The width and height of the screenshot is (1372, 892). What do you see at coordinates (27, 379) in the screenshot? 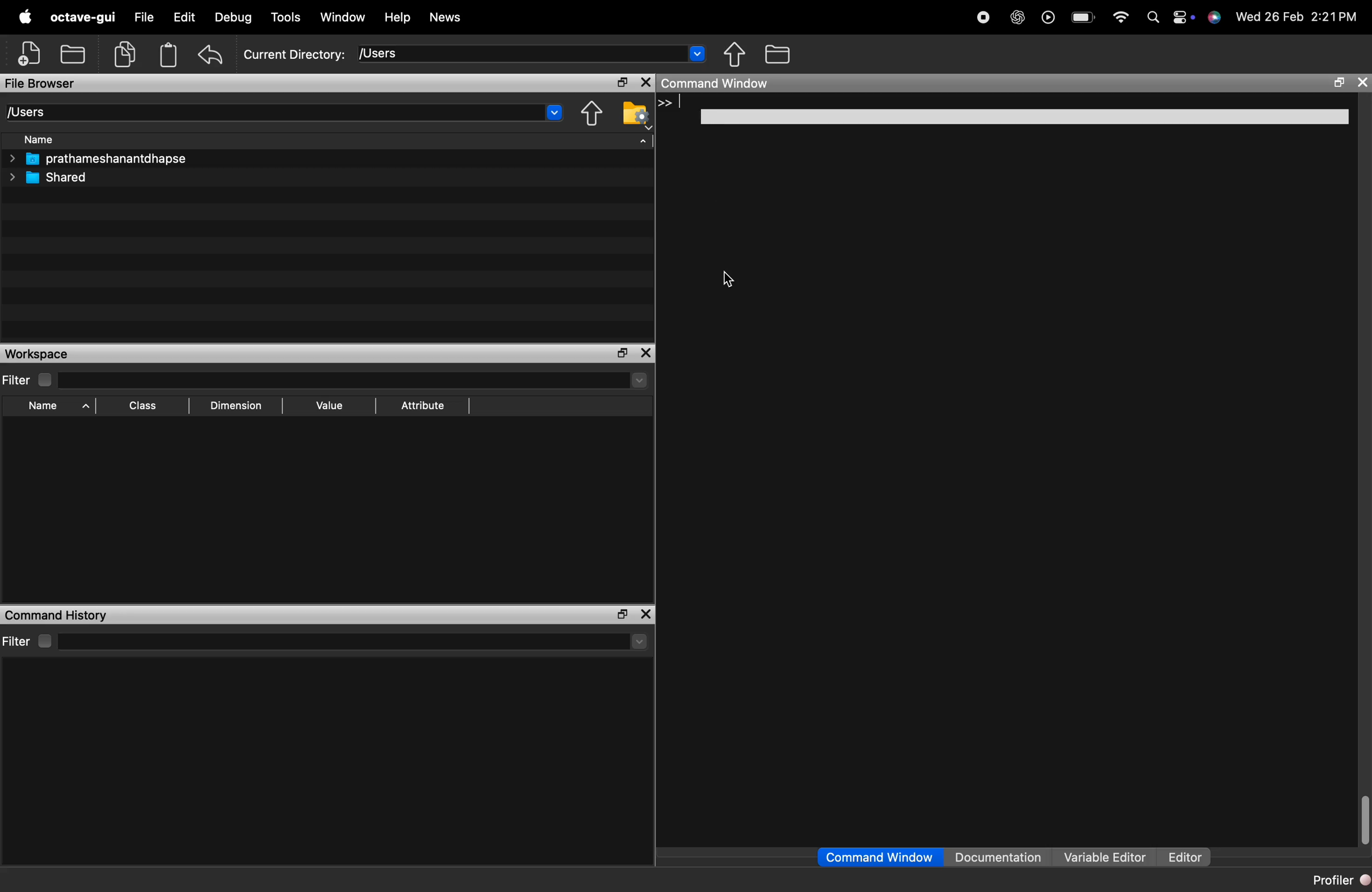
I see `Filter` at bounding box center [27, 379].